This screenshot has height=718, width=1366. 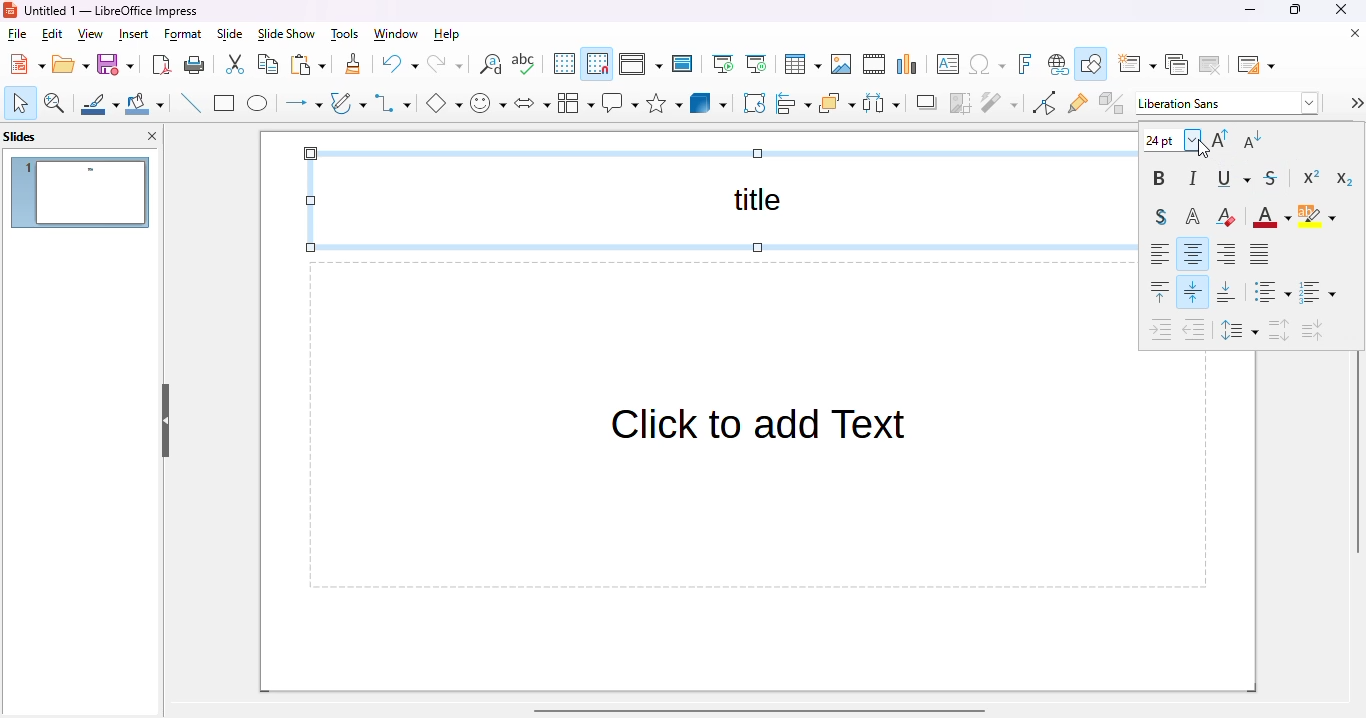 I want to click on crop image, so click(x=960, y=104).